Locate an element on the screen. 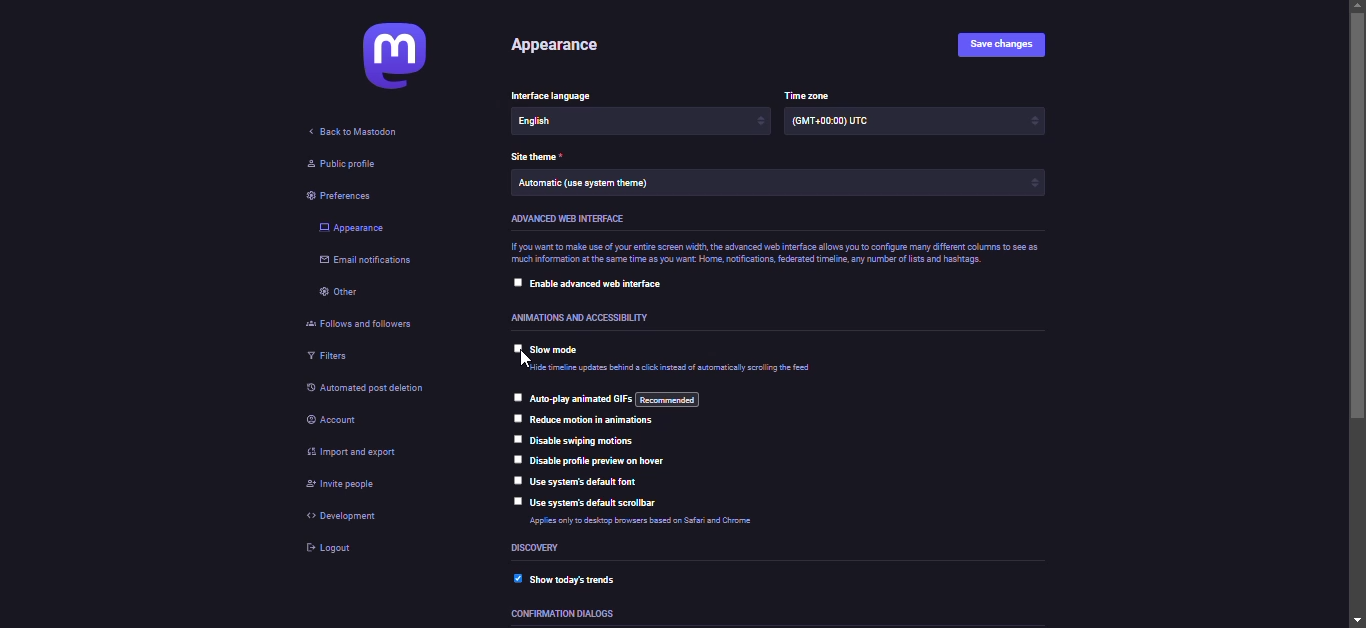  preferences is located at coordinates (340, 197).